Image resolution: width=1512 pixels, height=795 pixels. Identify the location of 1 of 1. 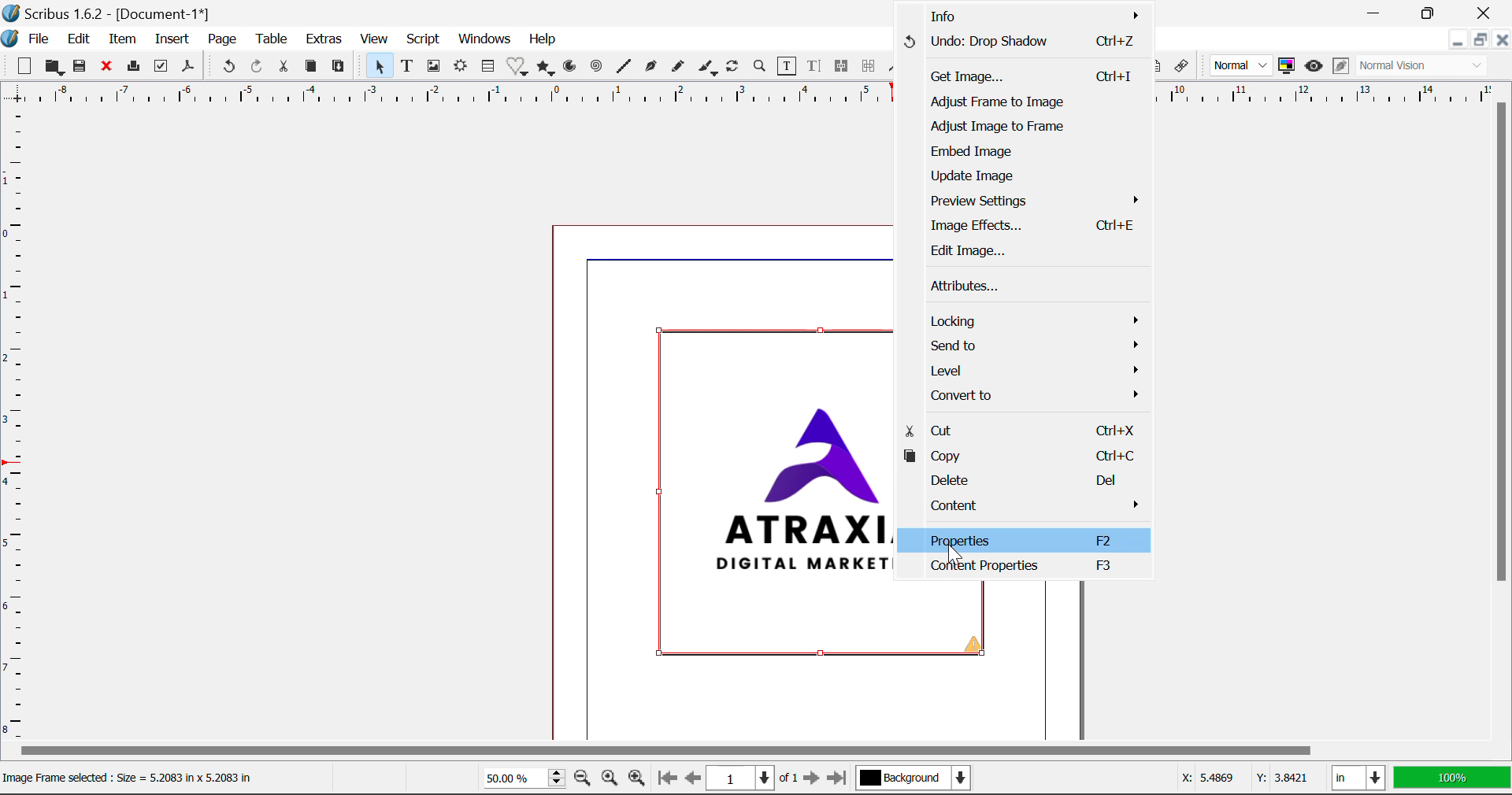
(751, 778).